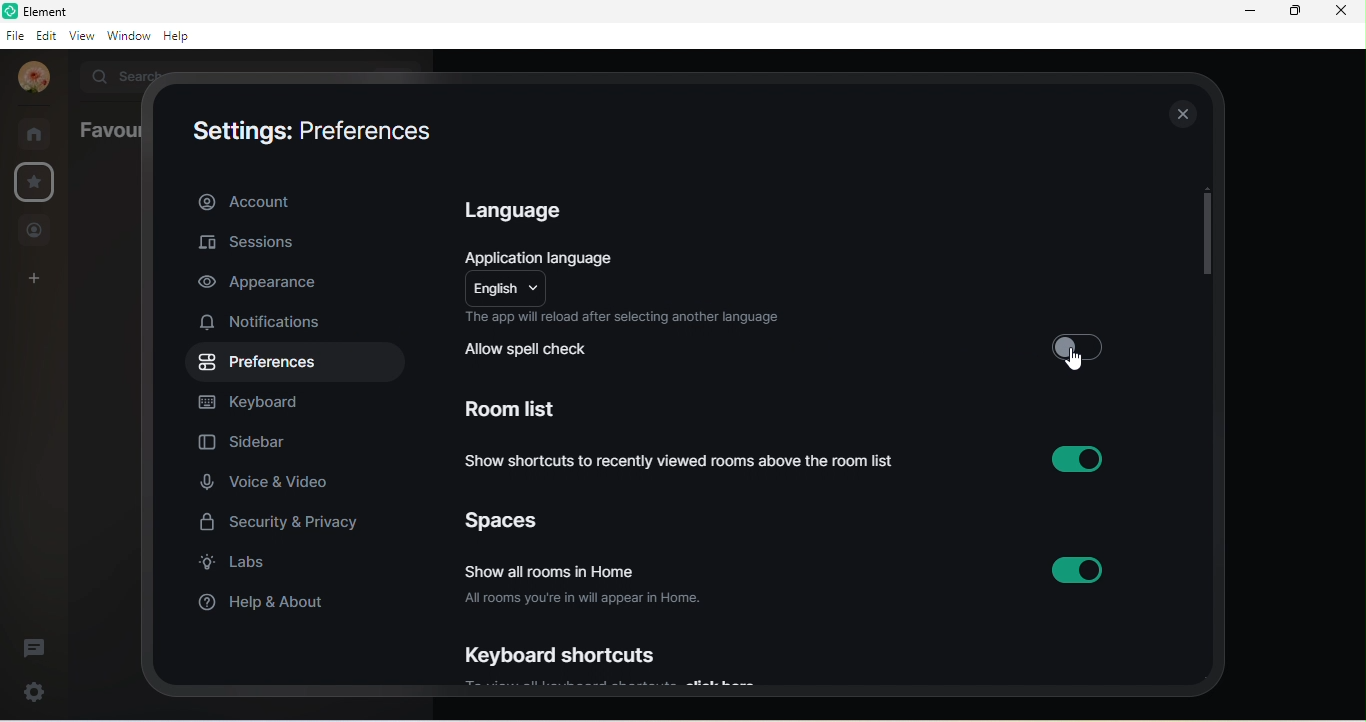  Describe the element at coordinates (274, 481) in the screenshot. I see `voice and video` at that location.